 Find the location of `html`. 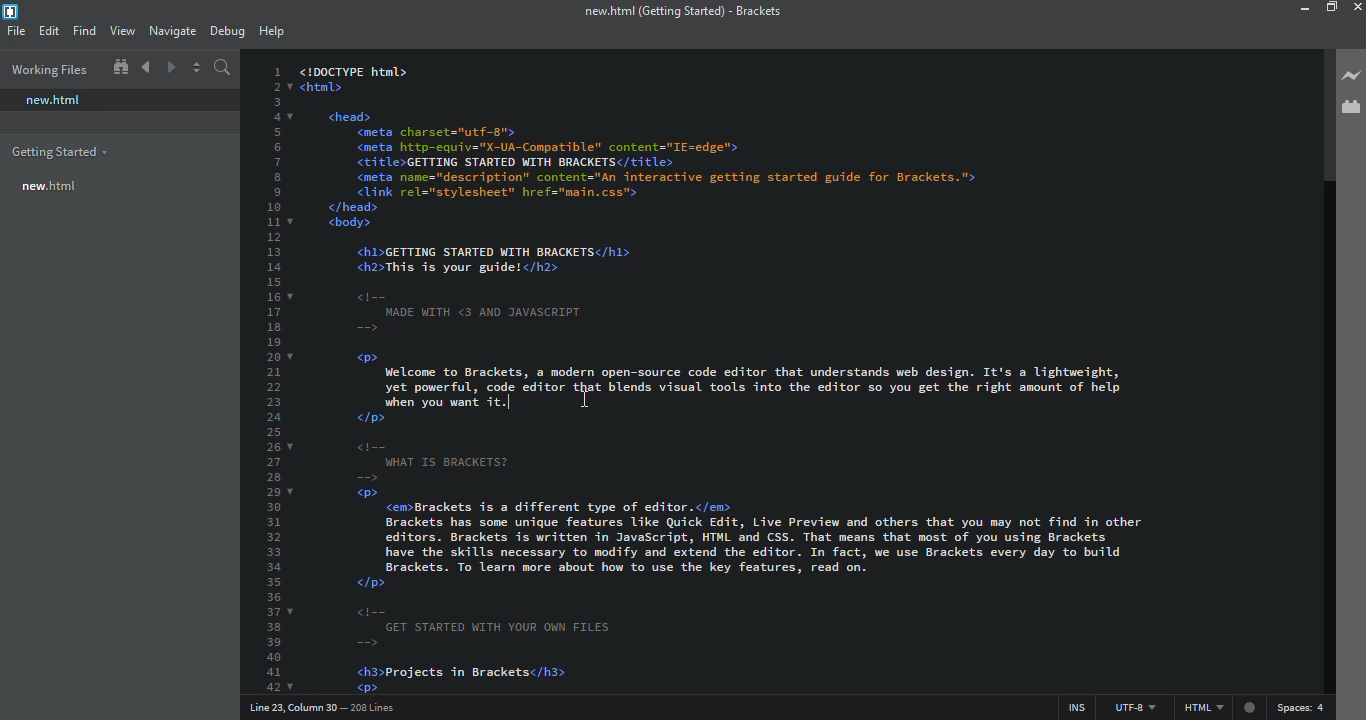

html is located at coordinates (1214, 708).